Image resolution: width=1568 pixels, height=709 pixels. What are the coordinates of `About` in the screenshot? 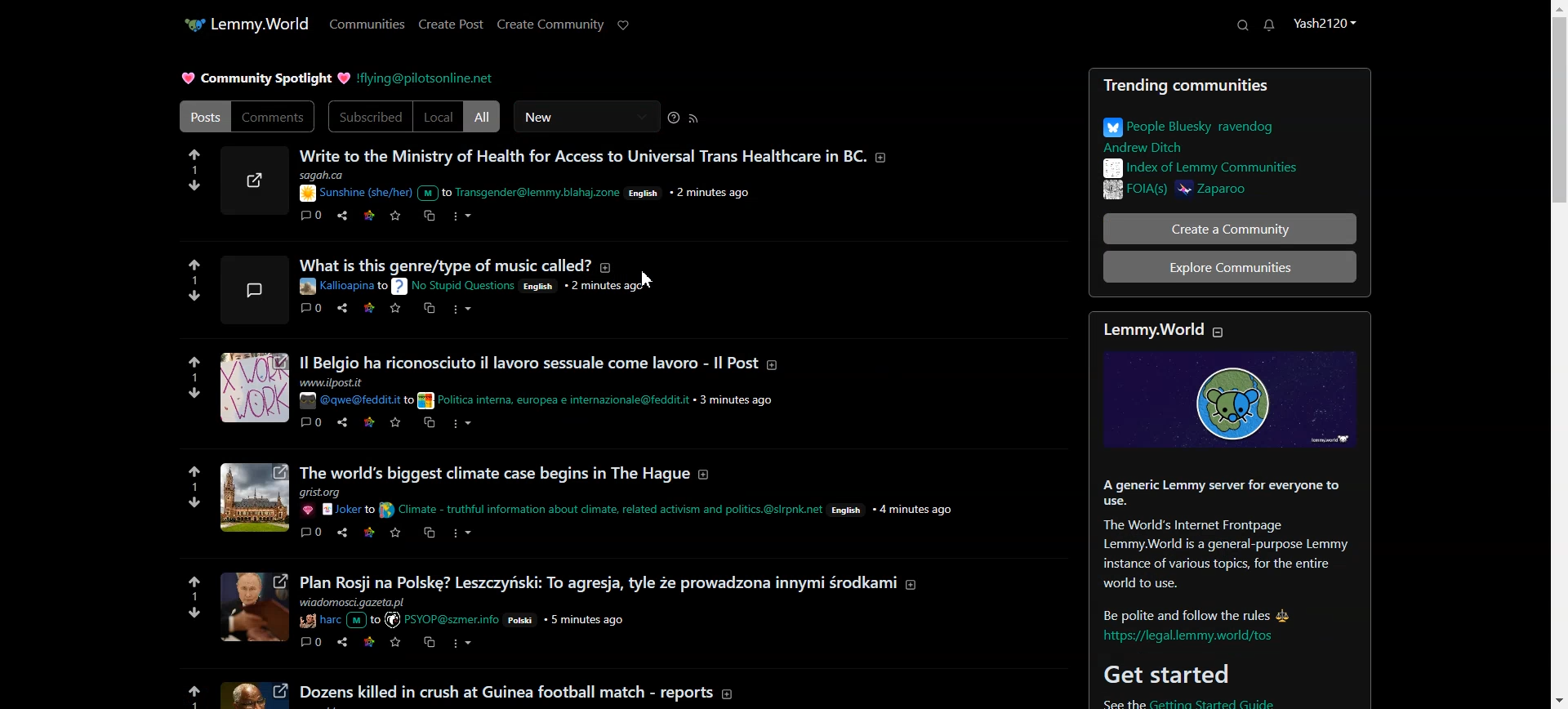 It's located at (1143, 328).